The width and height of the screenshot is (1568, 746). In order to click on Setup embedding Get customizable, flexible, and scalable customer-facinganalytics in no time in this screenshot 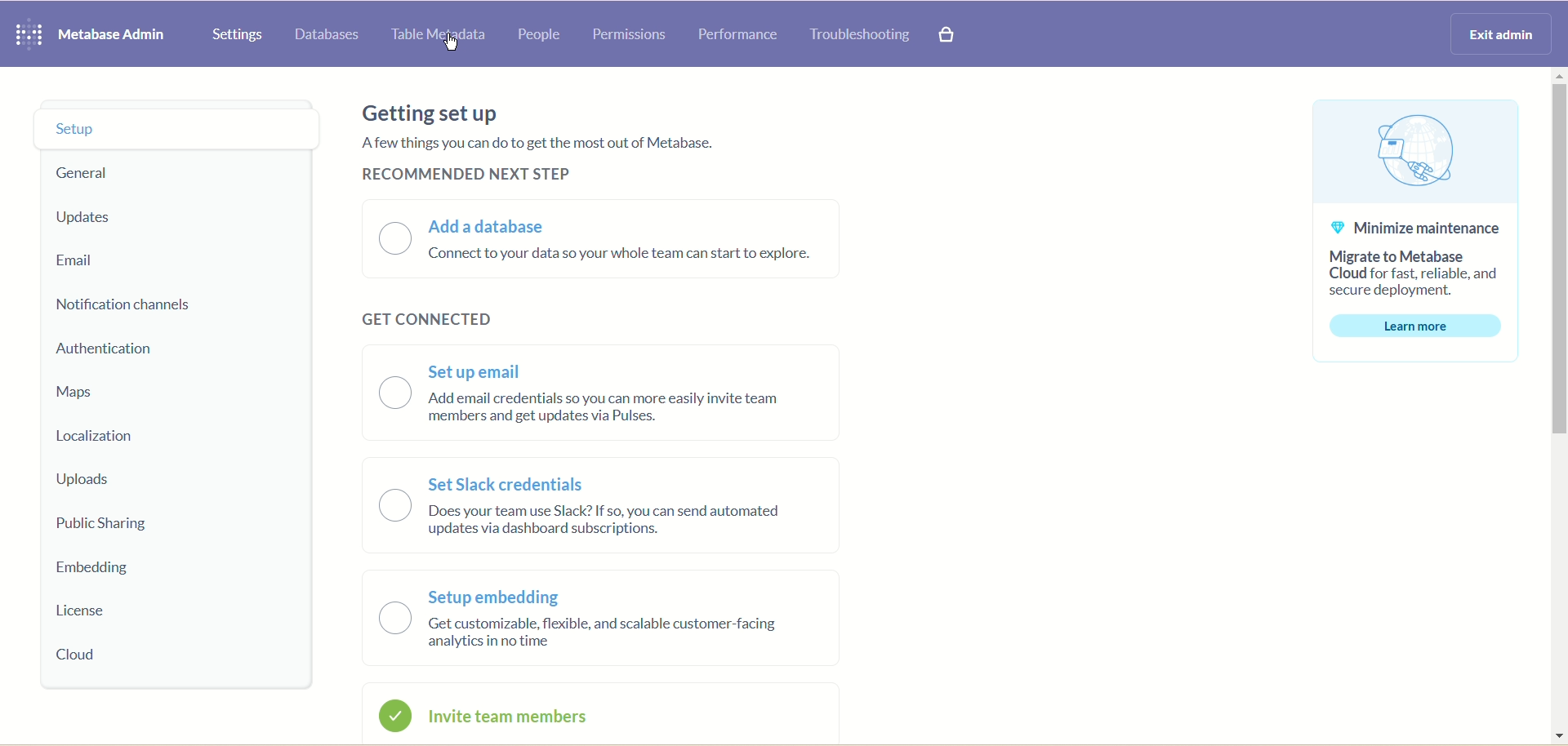, I will do `click(600, 620)`.